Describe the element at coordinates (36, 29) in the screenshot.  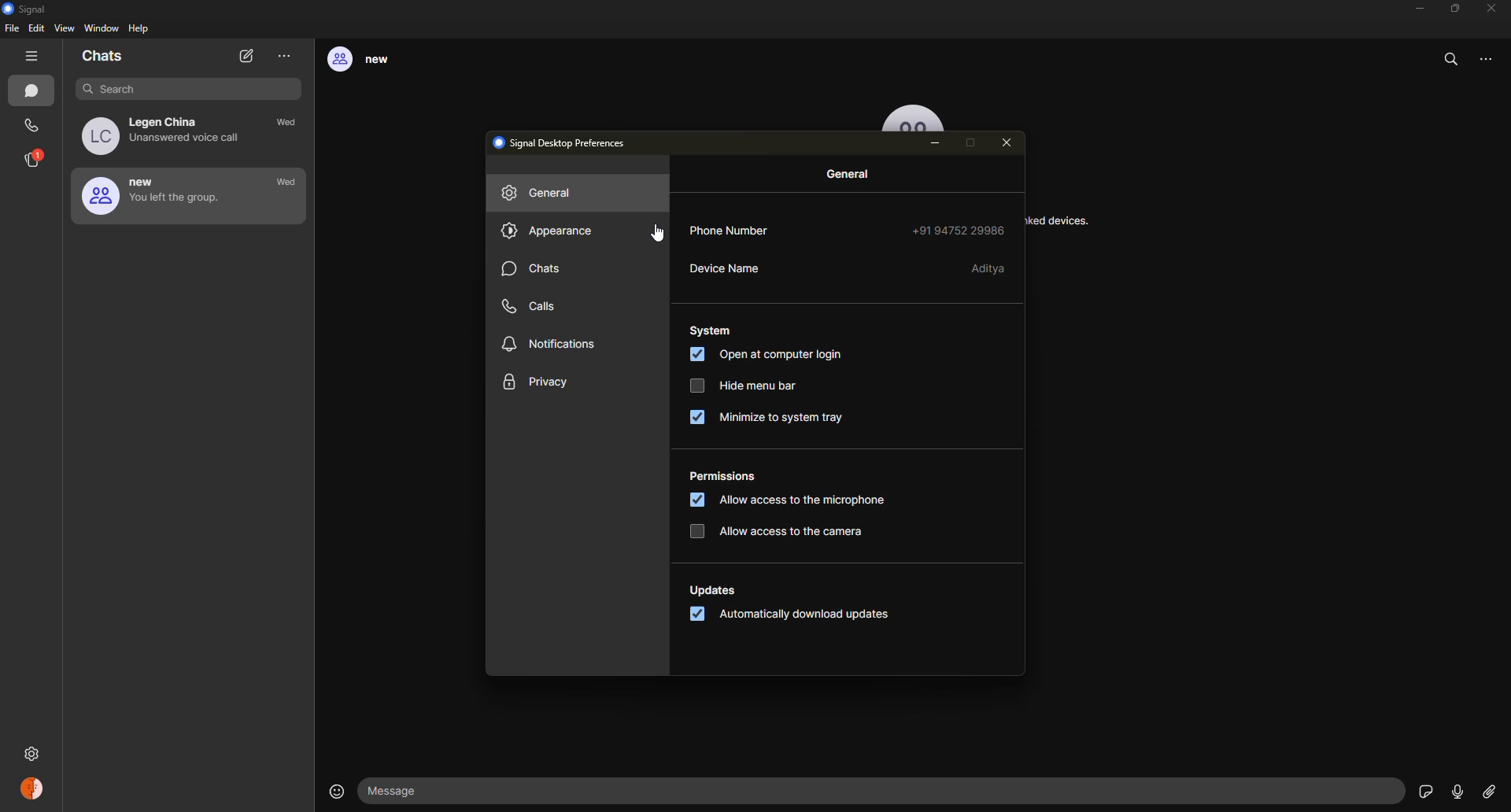
I see `edit` at that location.